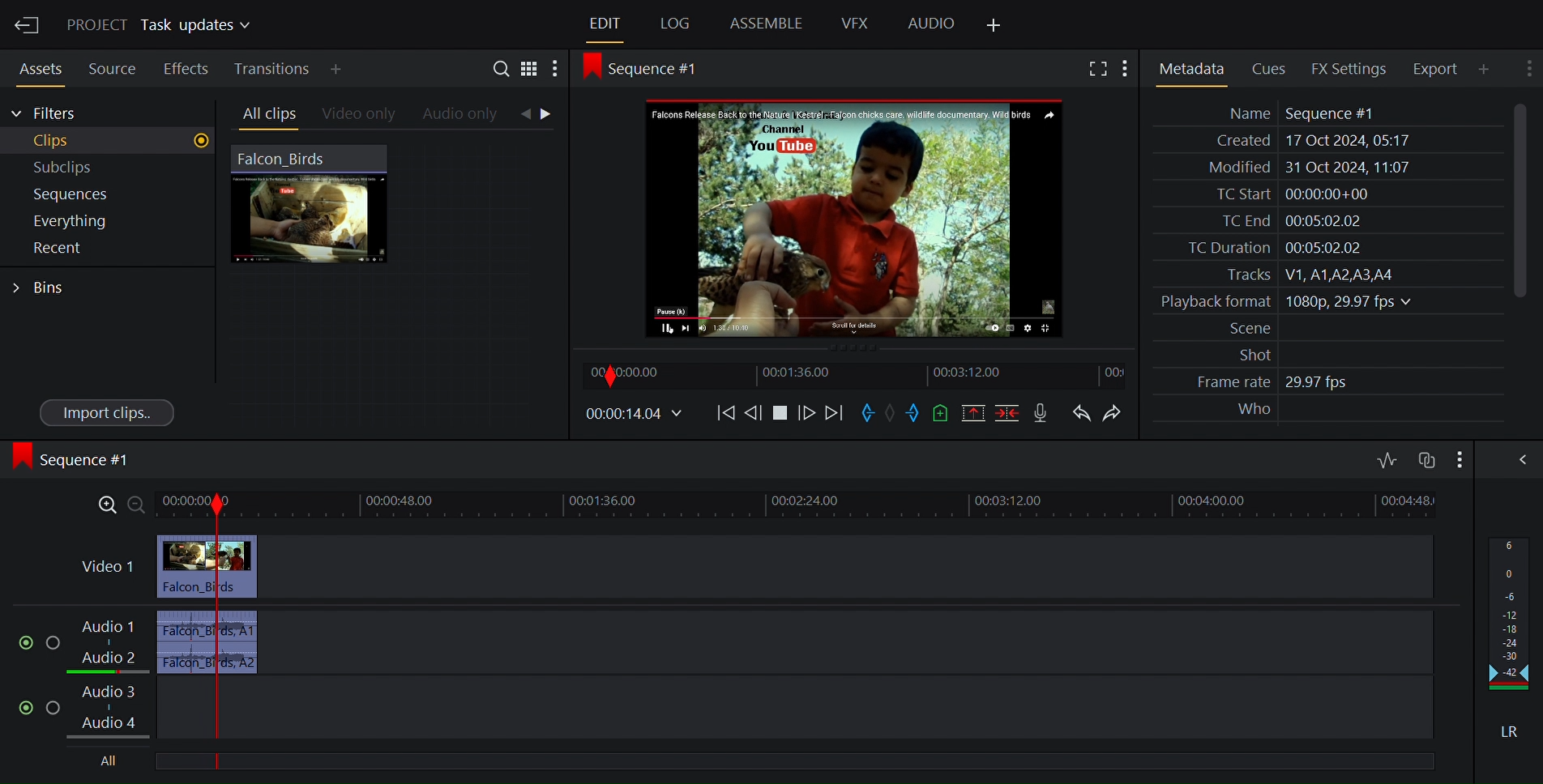 This screenshot has width=1543, height=784. I want to click on Toggle audio editing levels, so click(1386, 458).